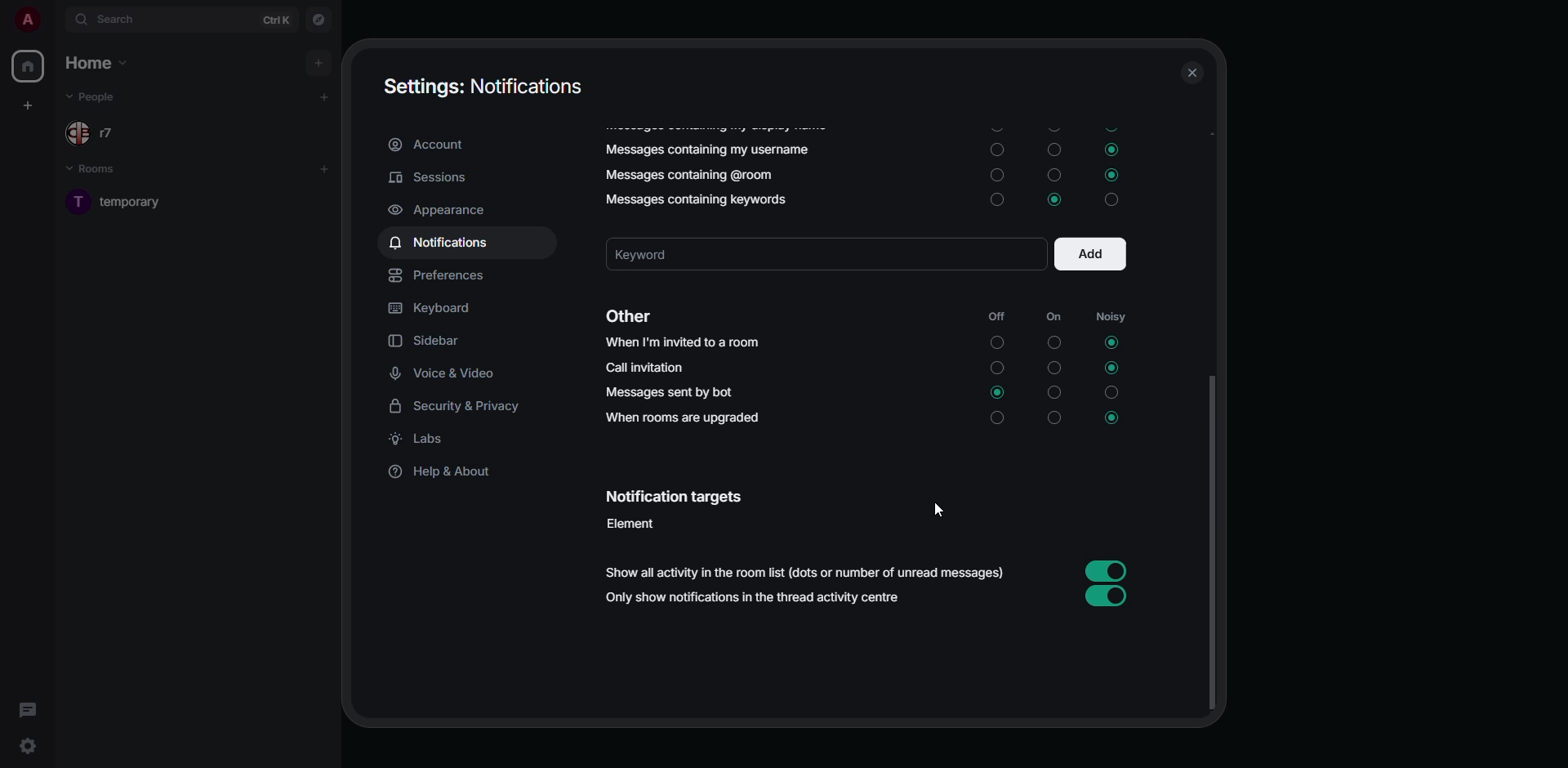 This screenshot has height=768, width=1568. I want to click on appearance, so click(443, 211).